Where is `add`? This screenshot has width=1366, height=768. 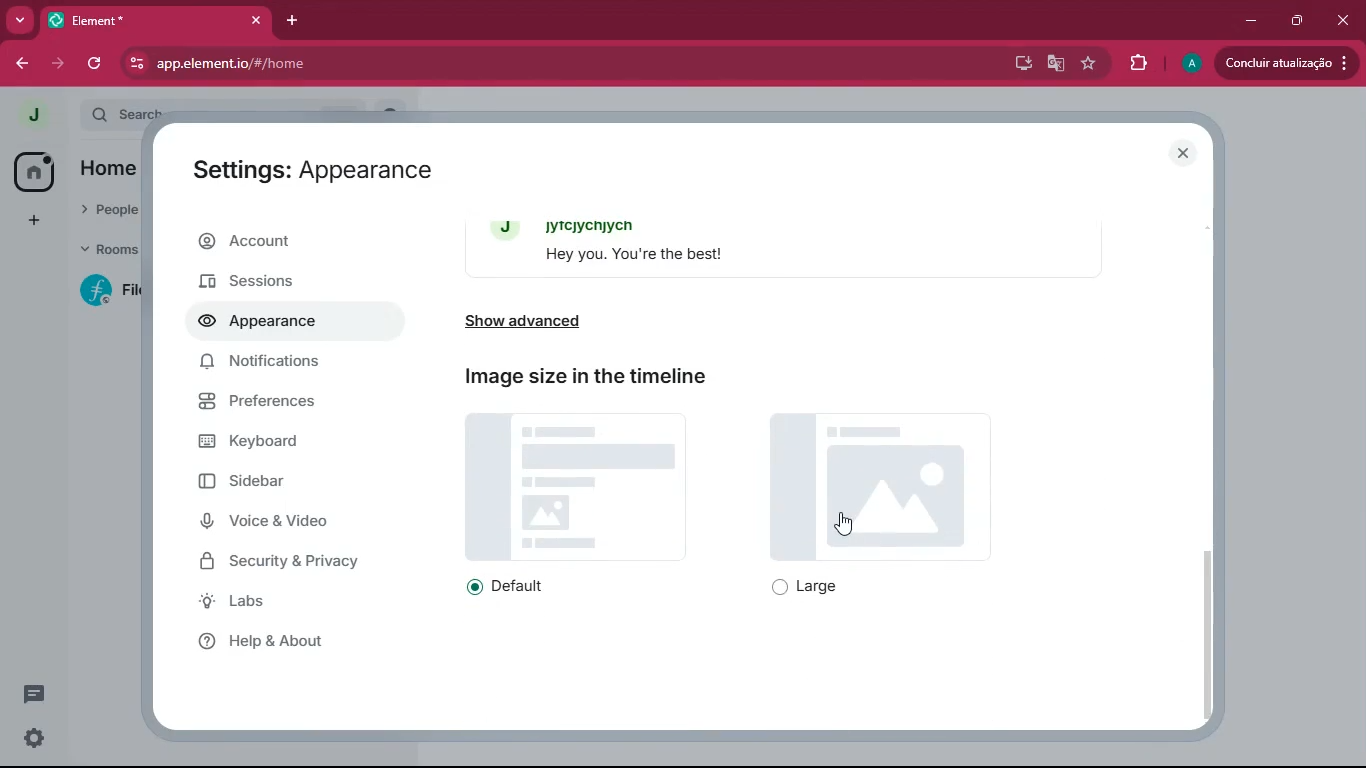 add is located at coordinates (26, 221).